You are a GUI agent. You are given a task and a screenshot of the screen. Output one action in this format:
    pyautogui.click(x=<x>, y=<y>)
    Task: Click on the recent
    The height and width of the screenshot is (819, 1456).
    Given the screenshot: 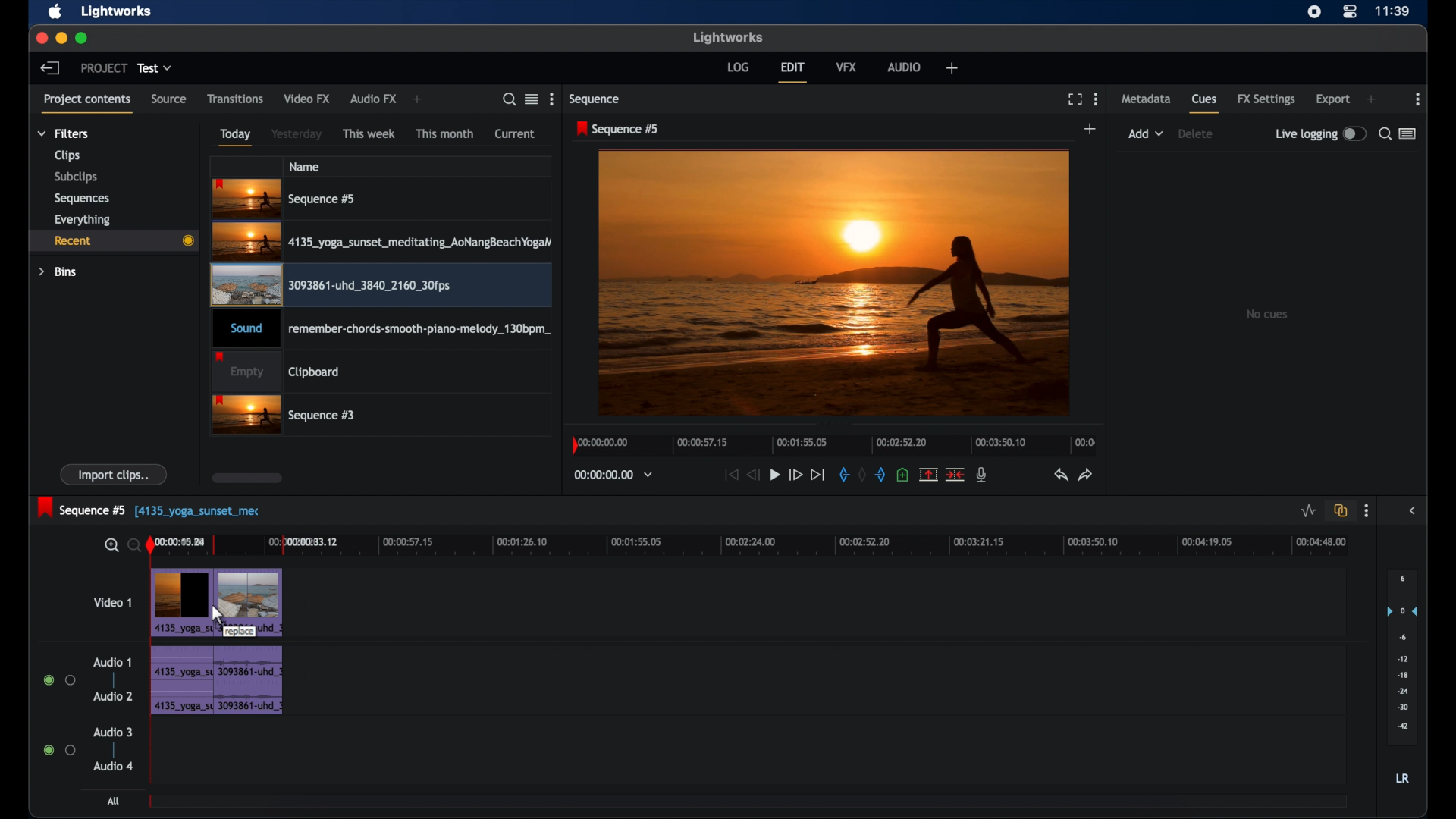 What is the action you would take?
    pyautogui.click(x=113, y=241)
    